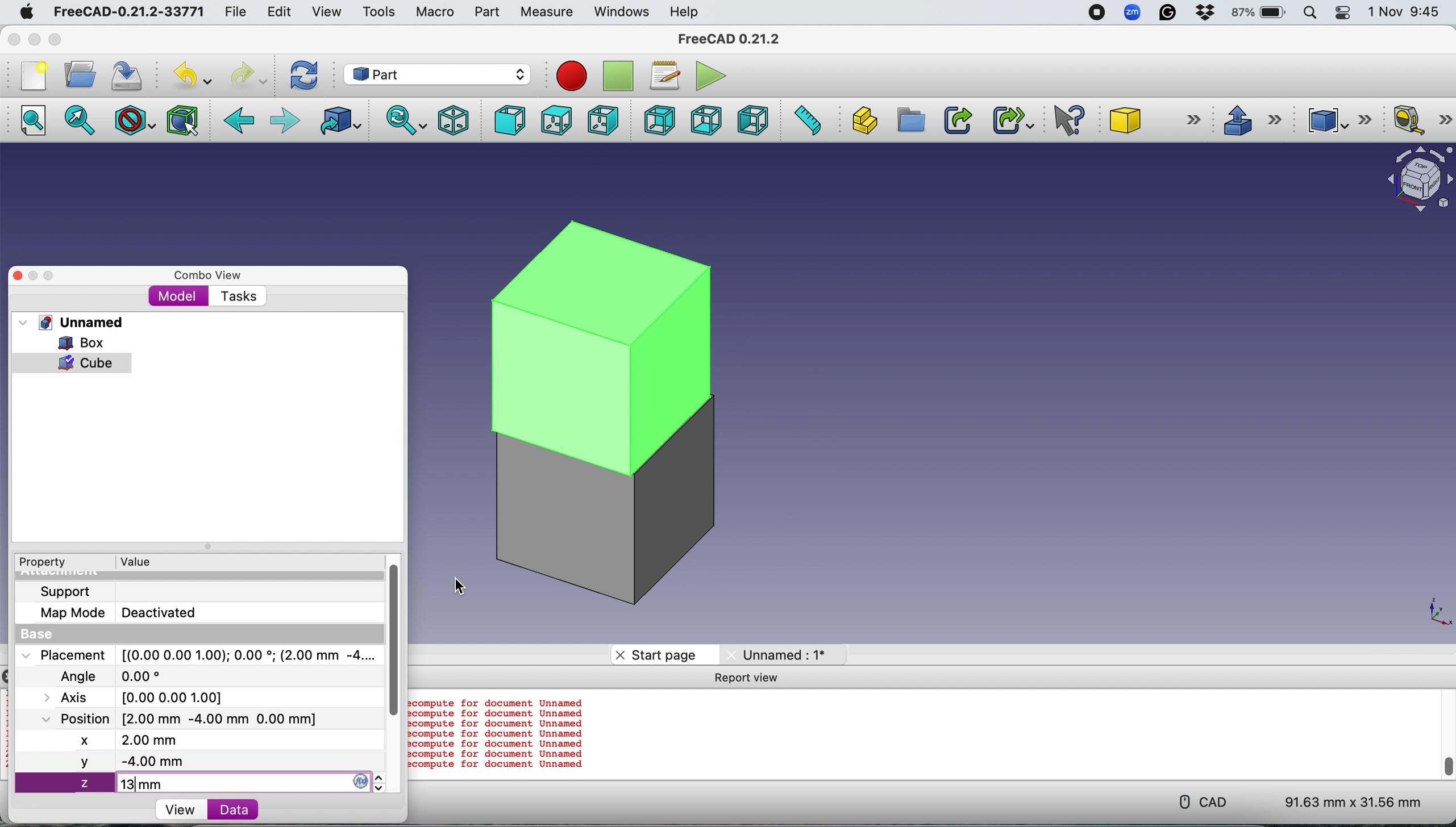 Image resolution: width=1456 pixels, height=827 pixels. Describe the element at coordinates (706, 120) in the screenshot. I see `Bottom` at that location.